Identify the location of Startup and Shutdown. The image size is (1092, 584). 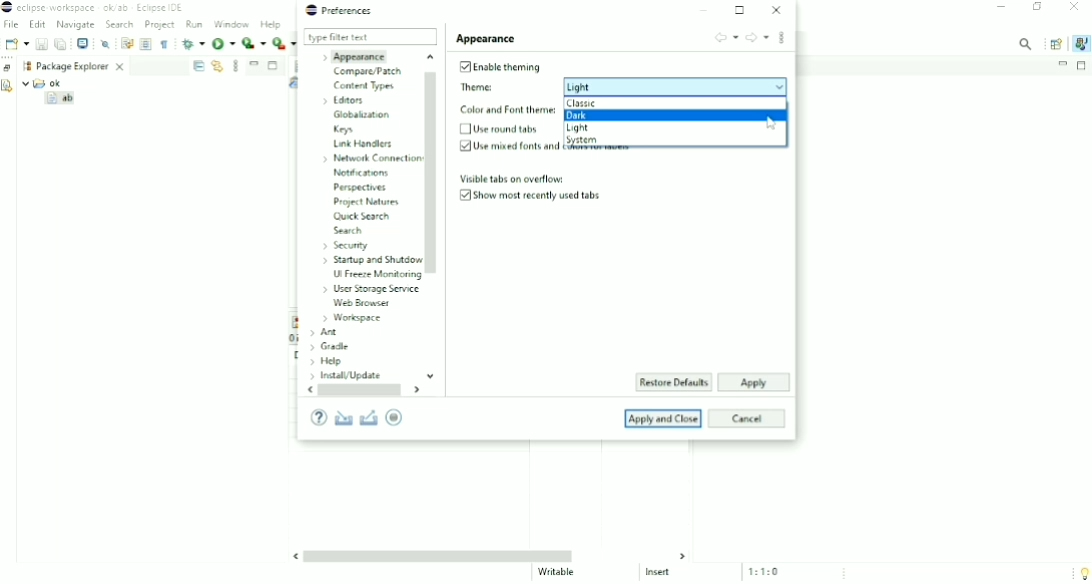
(370, 261).